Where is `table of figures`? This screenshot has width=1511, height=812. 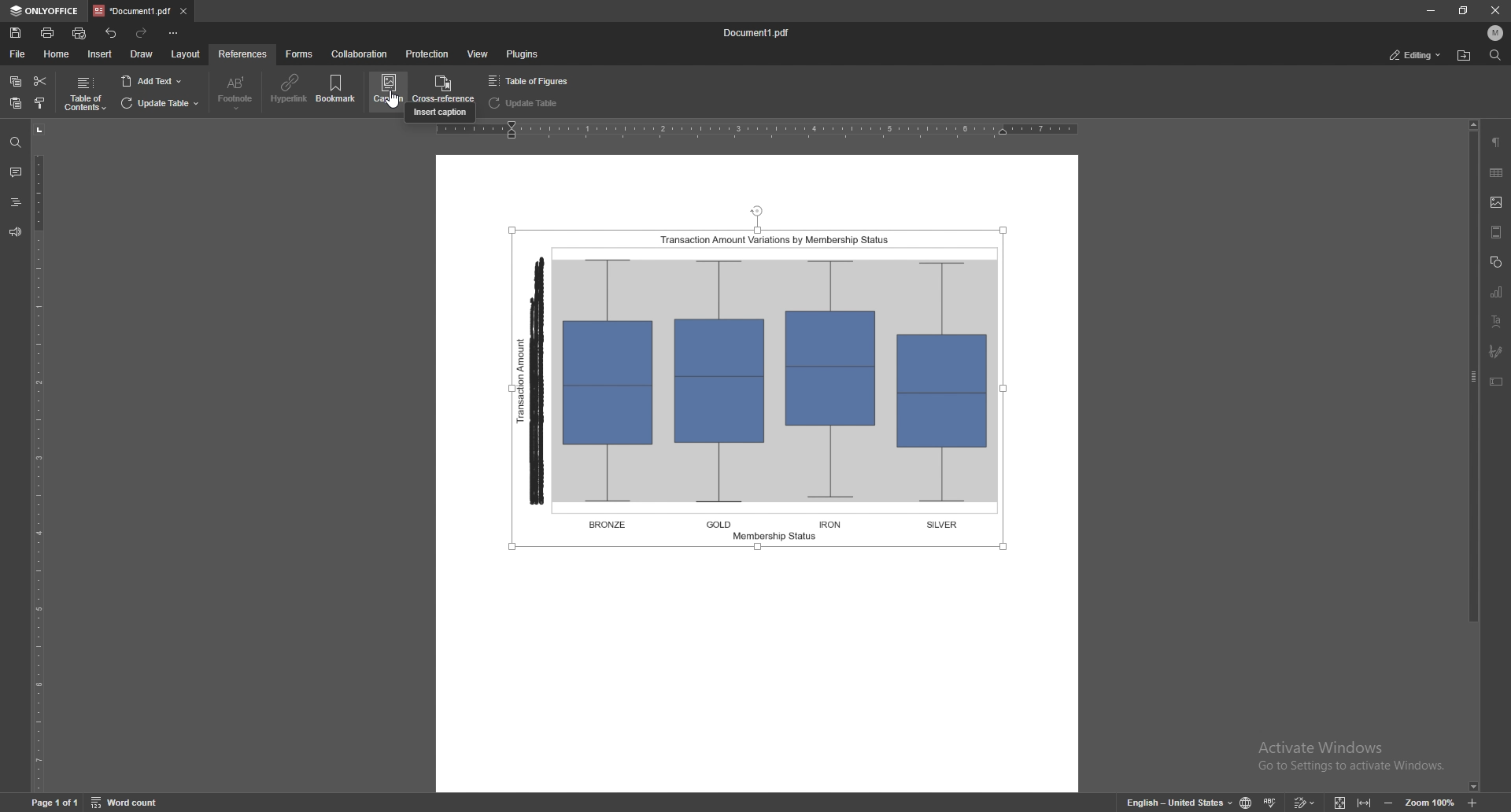 table of figures is located at coordinates (532, 81).